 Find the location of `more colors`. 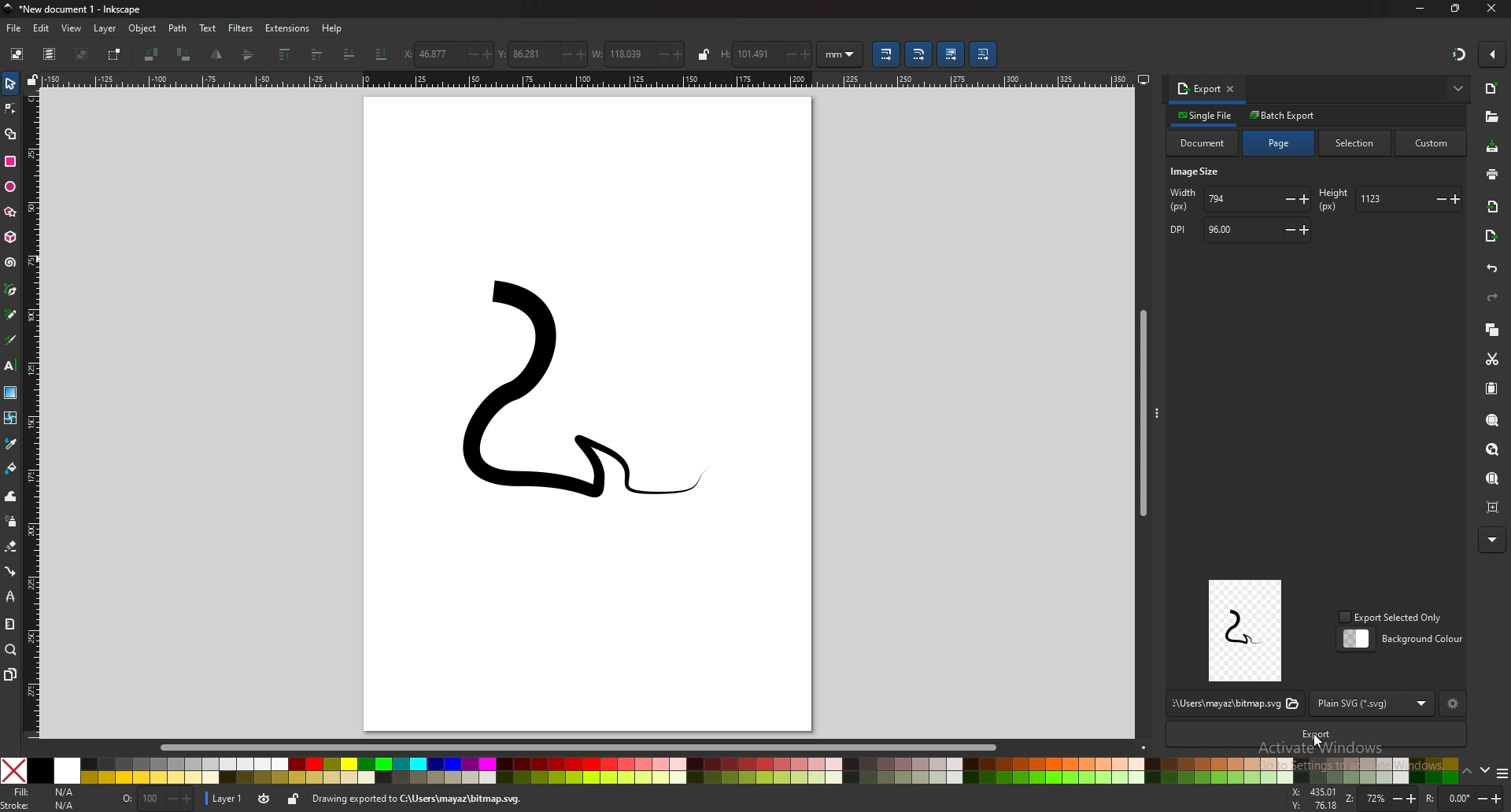

more colors is located at coordinates (1502, 774).